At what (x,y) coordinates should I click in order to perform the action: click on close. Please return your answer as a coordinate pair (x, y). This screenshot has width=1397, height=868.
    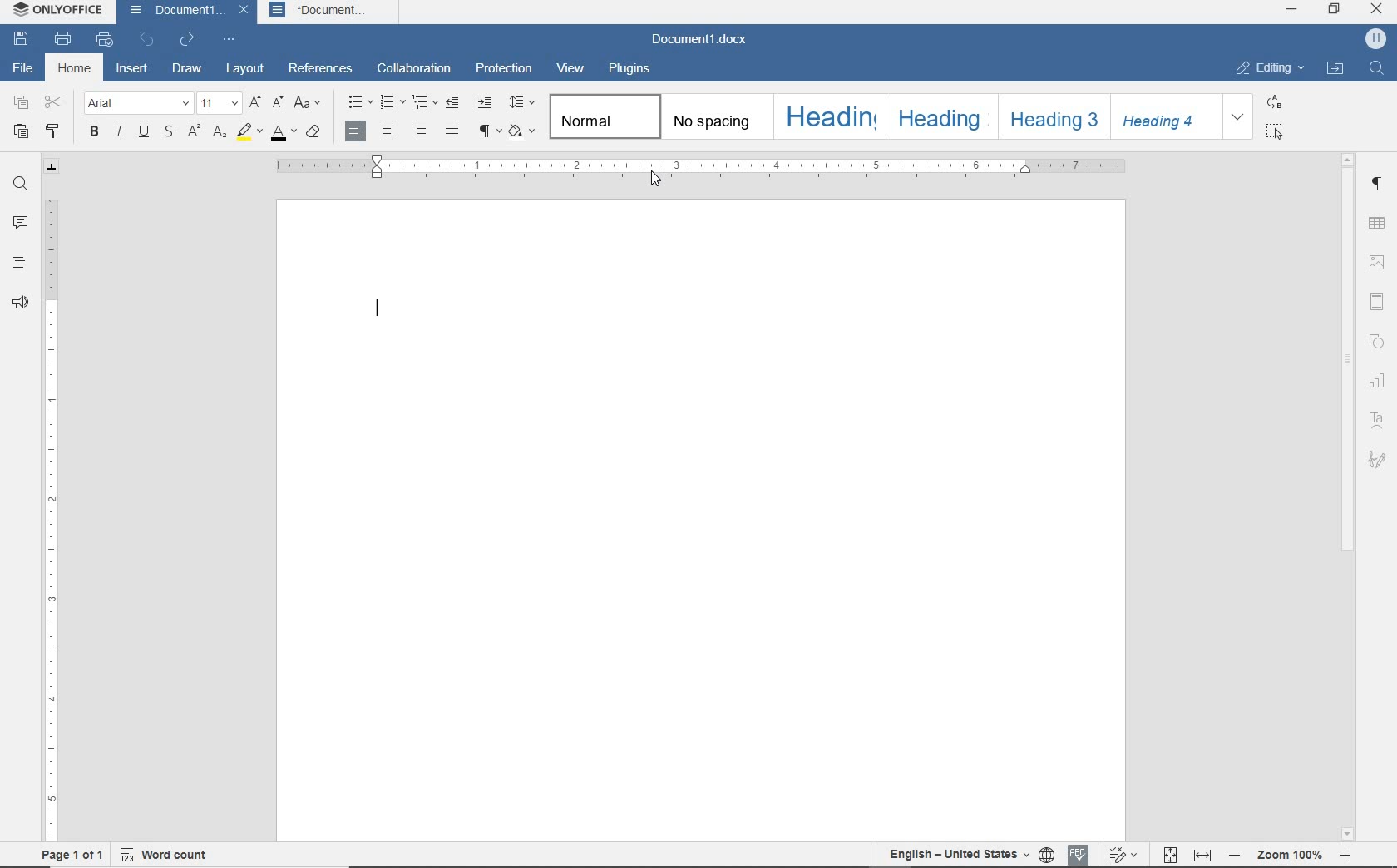
    Looking at the image, I should click on (243, 12).